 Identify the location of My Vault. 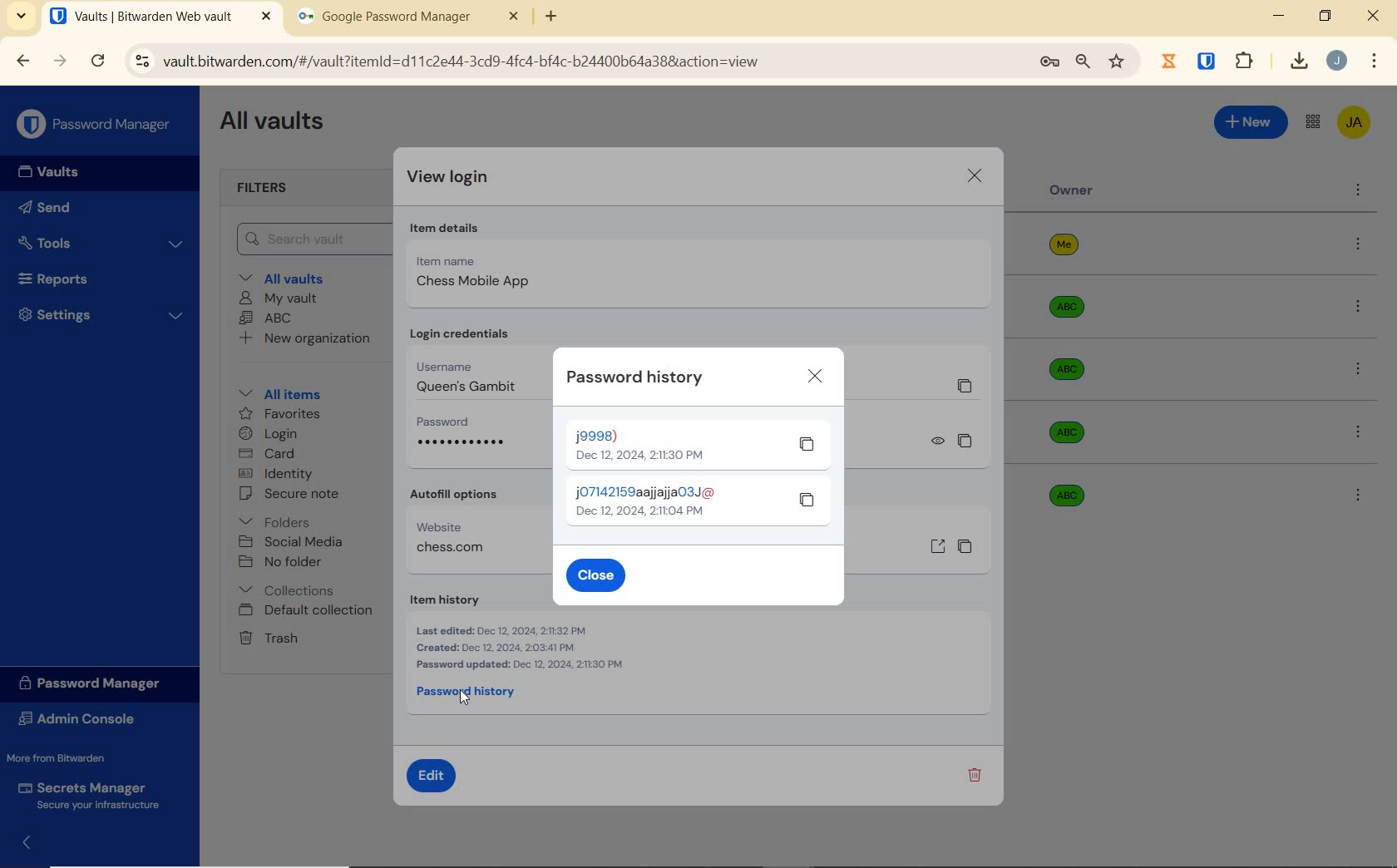
(281, 297).